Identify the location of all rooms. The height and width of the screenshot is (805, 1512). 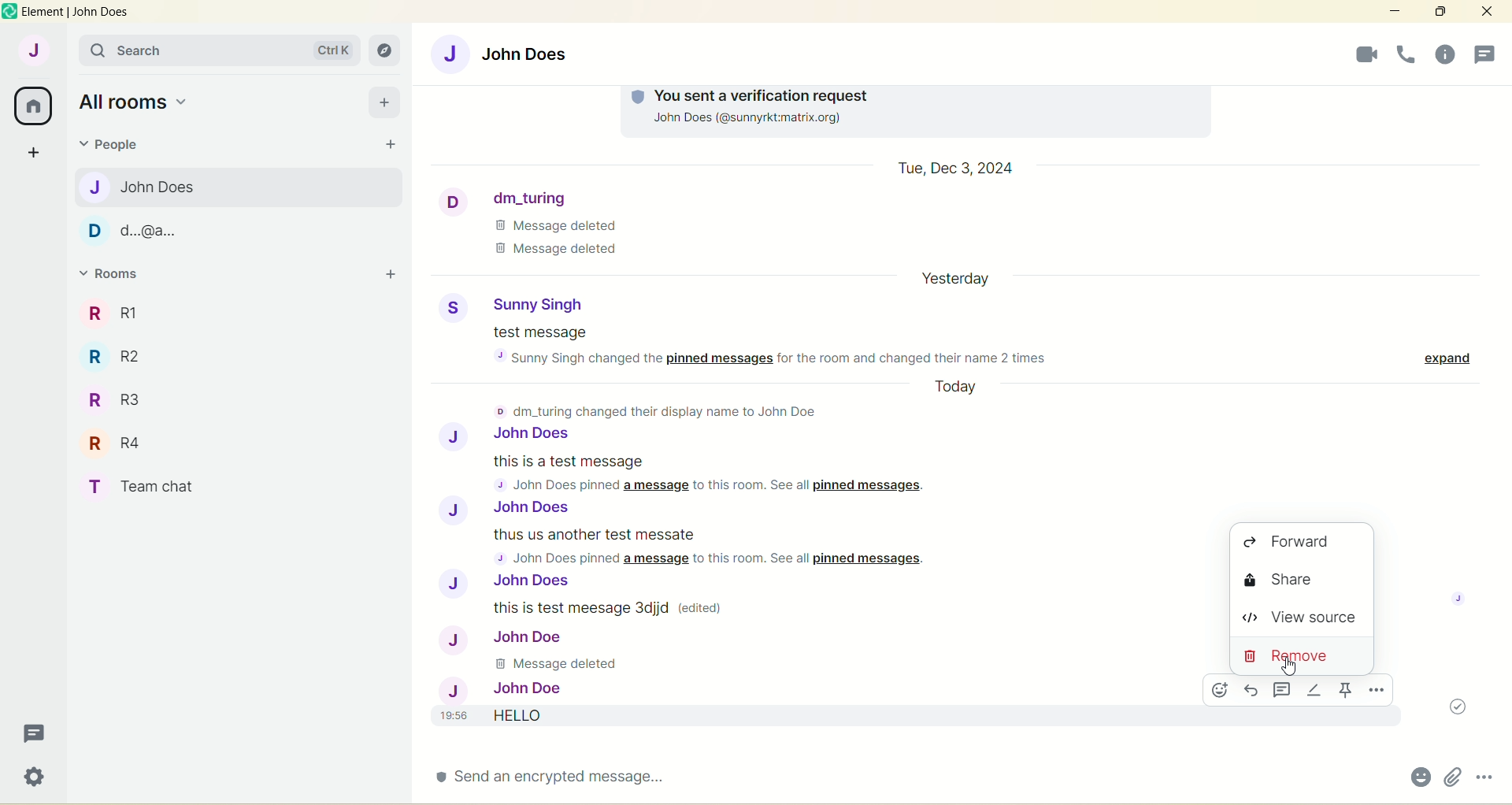
(35, 105).